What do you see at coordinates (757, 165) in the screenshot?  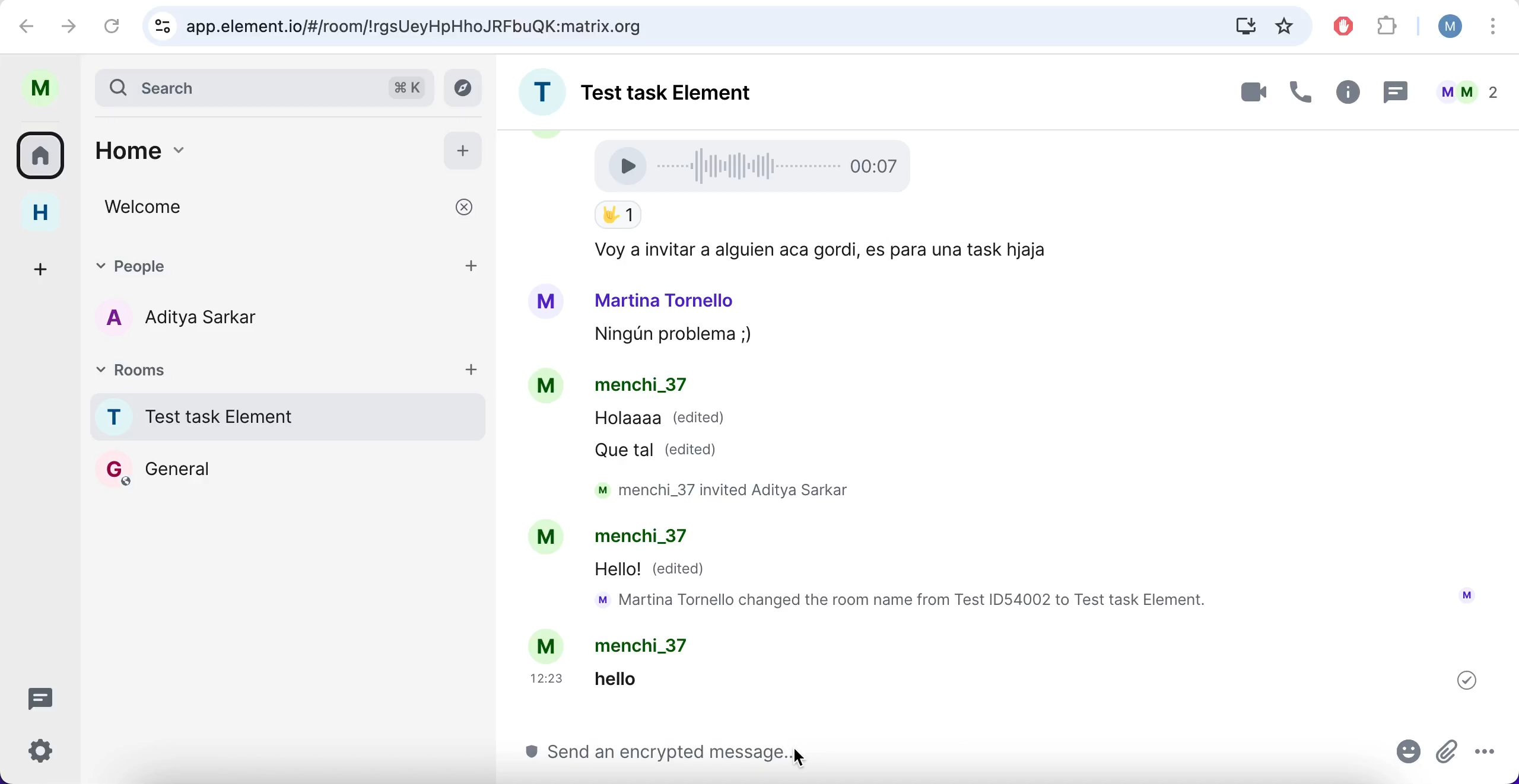 I see `Voice Recording 00:07` at bounding box center [757, 165].